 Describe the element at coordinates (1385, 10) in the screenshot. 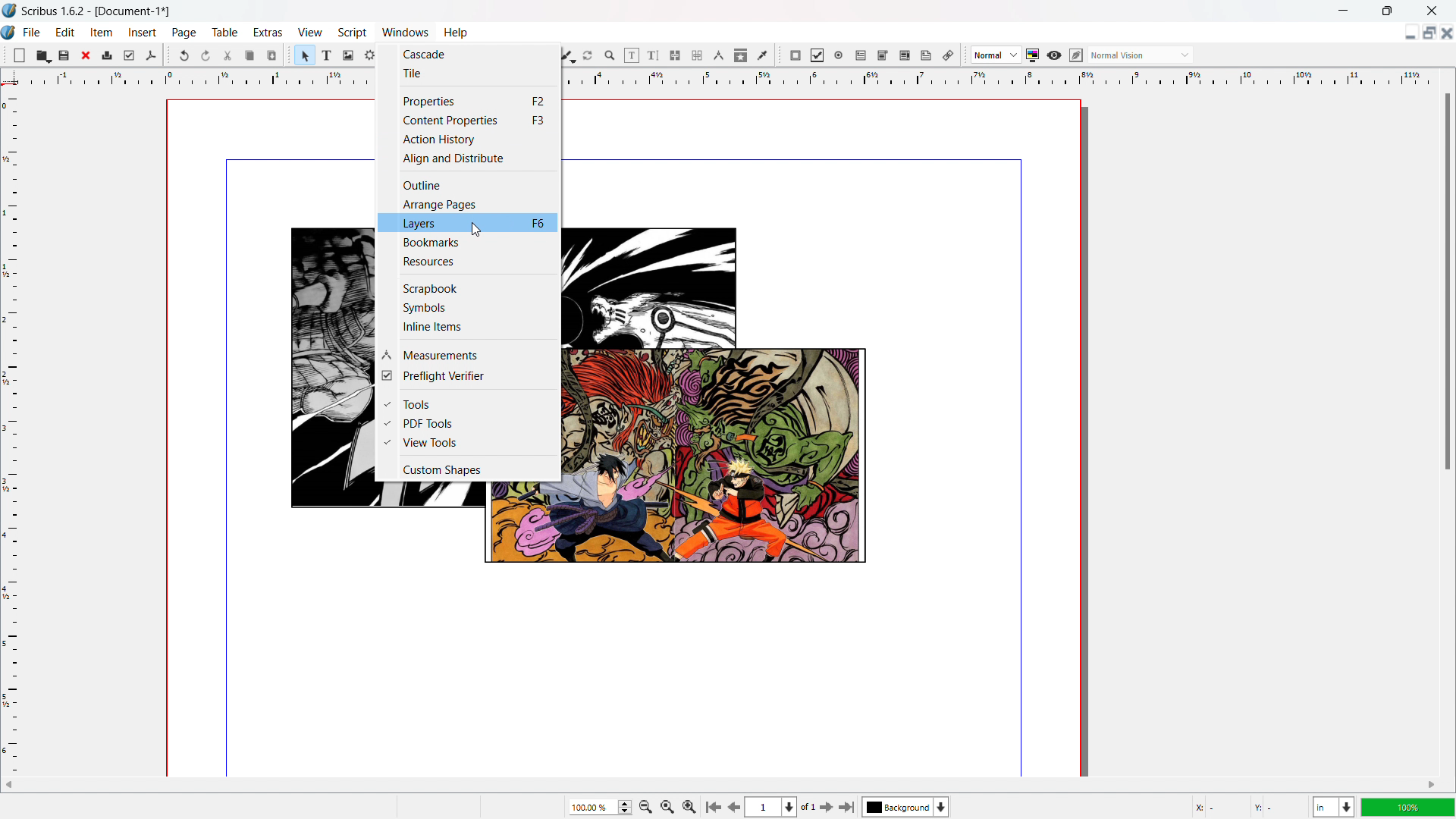

I see `maximize window` at that location.